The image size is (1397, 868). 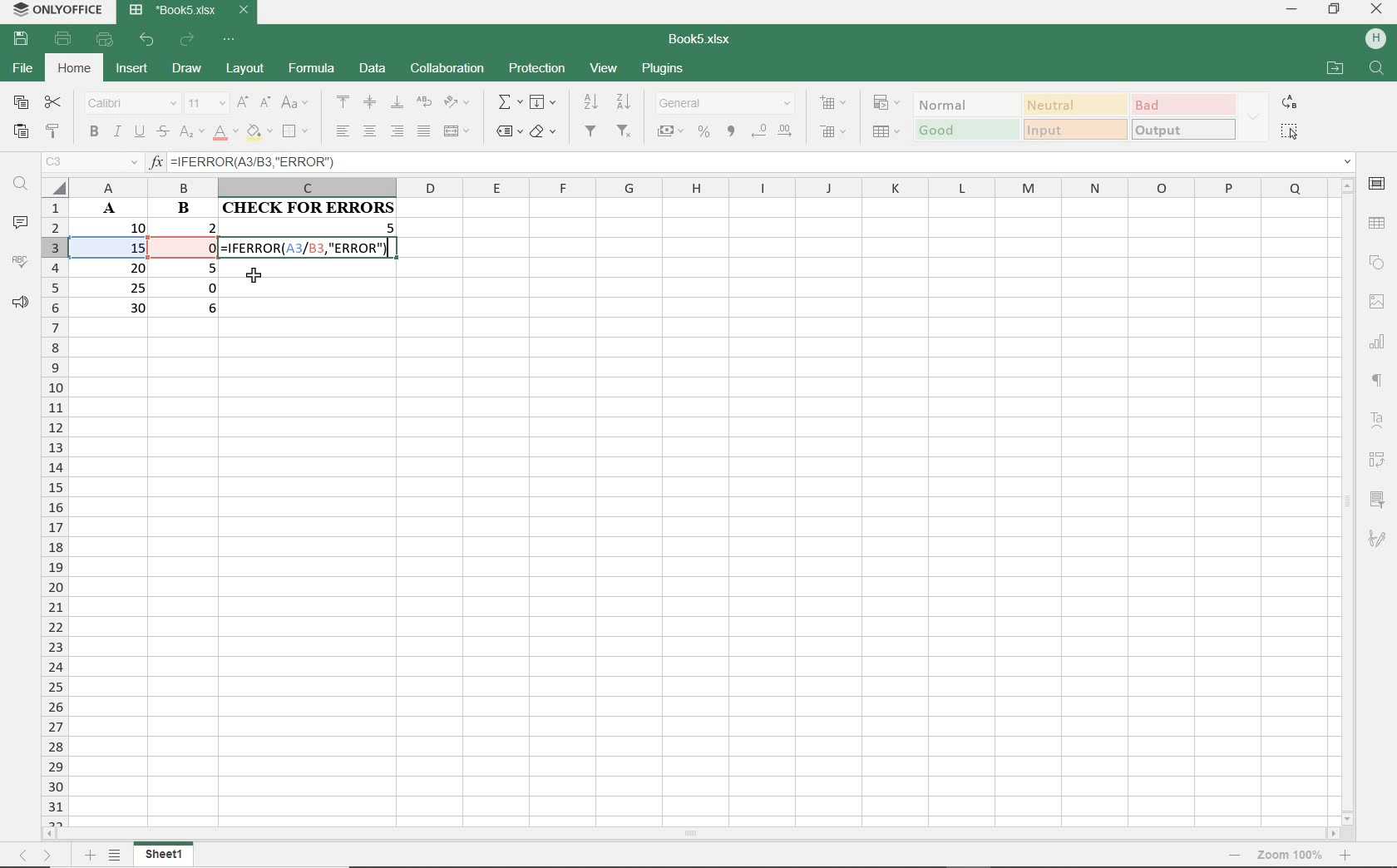 I want to click on FILTER, so click(x=593, y=134).